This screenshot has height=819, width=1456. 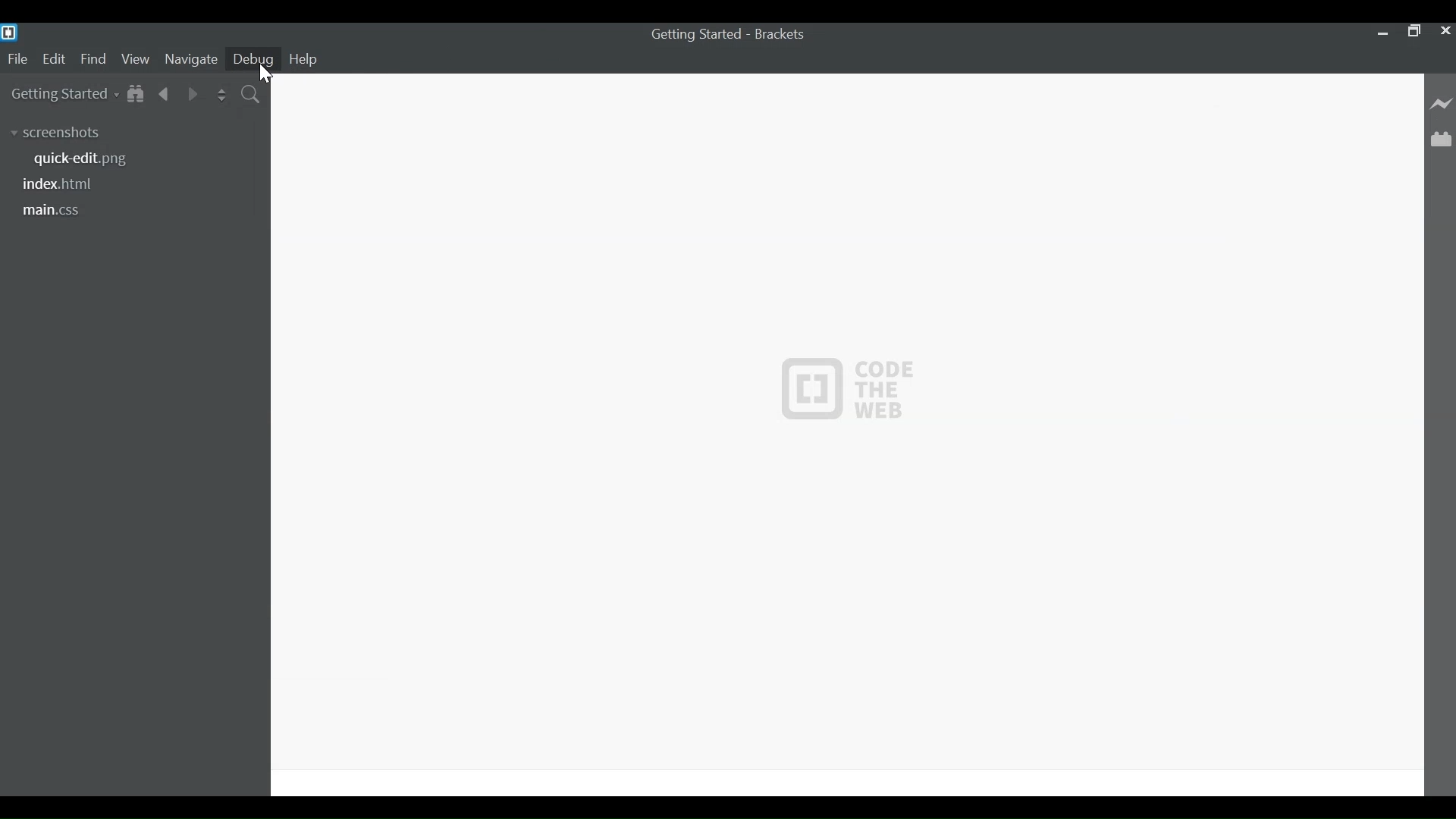 What do you see at coordinates (1441, 140) in the screenshot?
I see `Manage Extensions` at bounding box center [1441, 140].